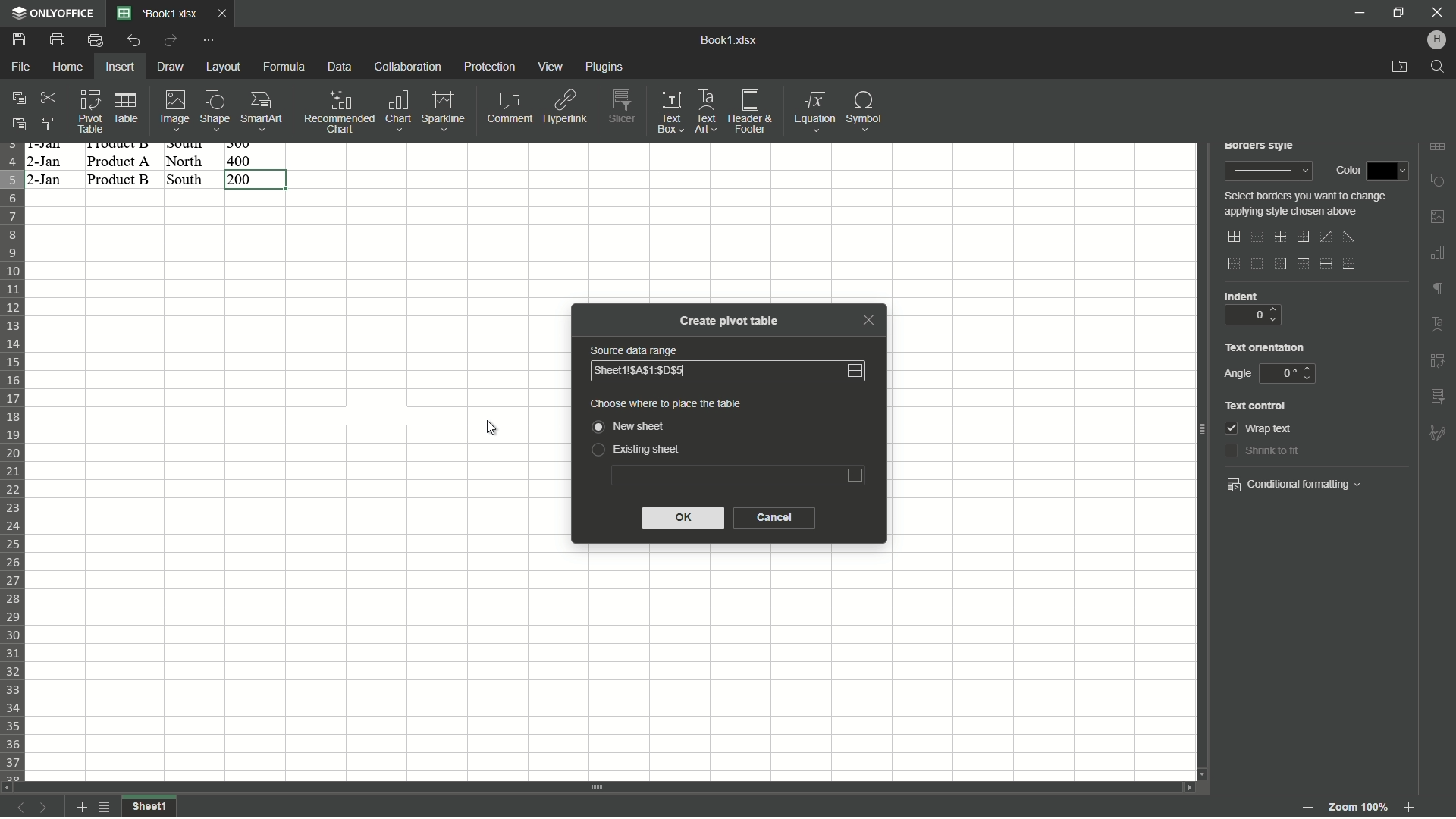 The width and height of the screenshot is (1456, 819). I want to click on indent, so click(1240, 296).